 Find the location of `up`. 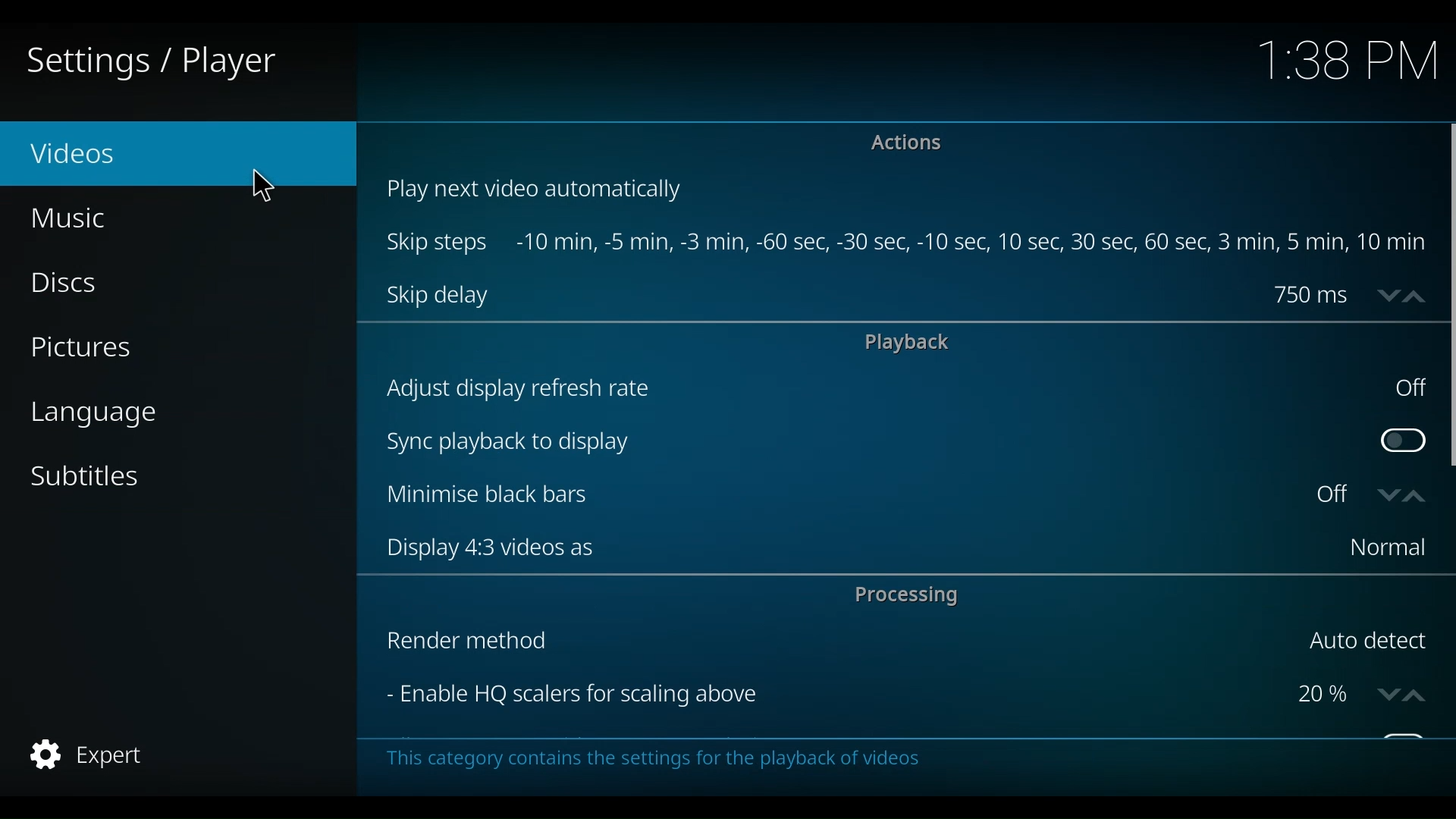

up is located at coordinates (1421, 295).